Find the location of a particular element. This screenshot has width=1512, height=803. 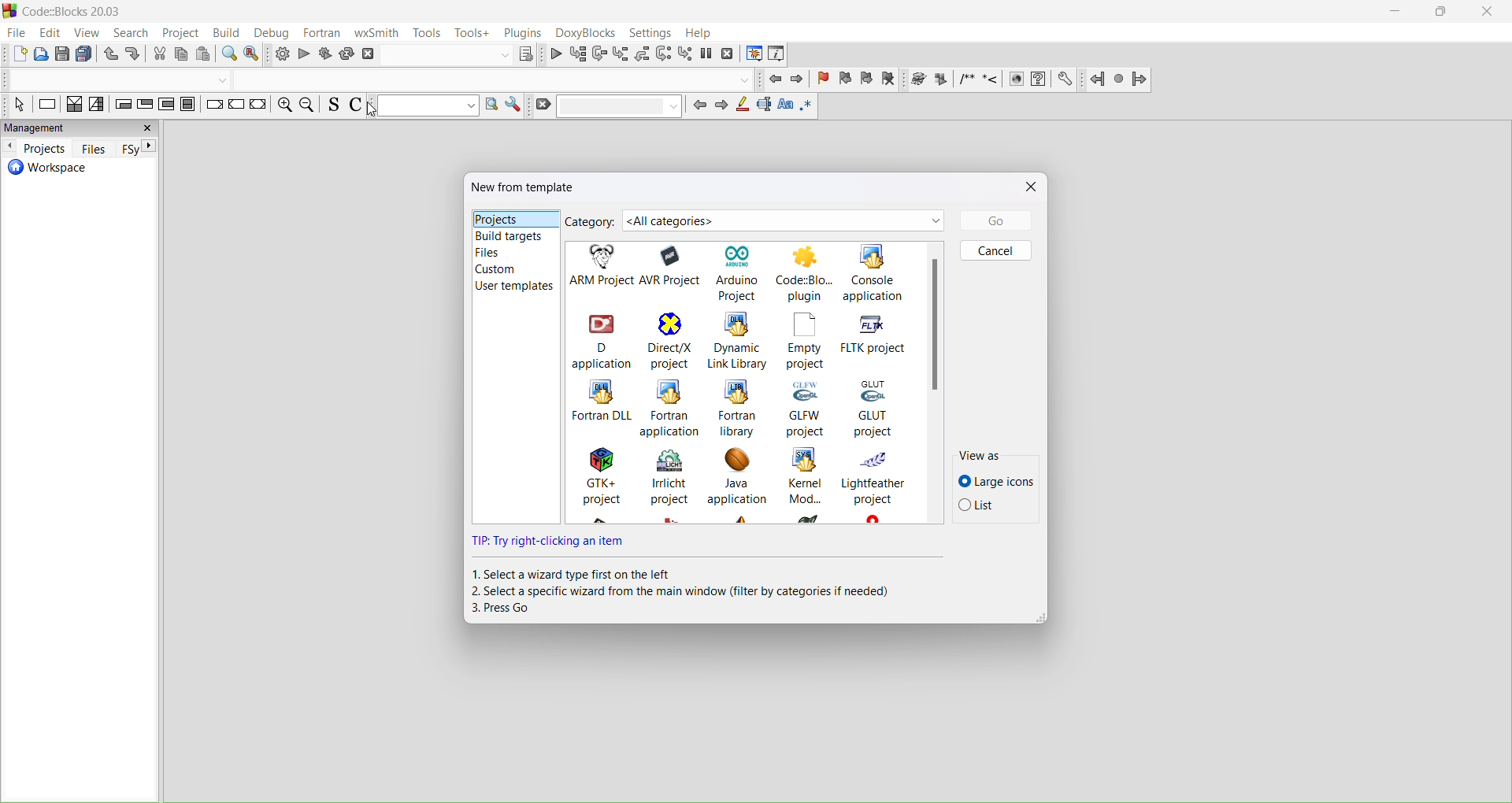

undo is located at coordinates (111, 54).